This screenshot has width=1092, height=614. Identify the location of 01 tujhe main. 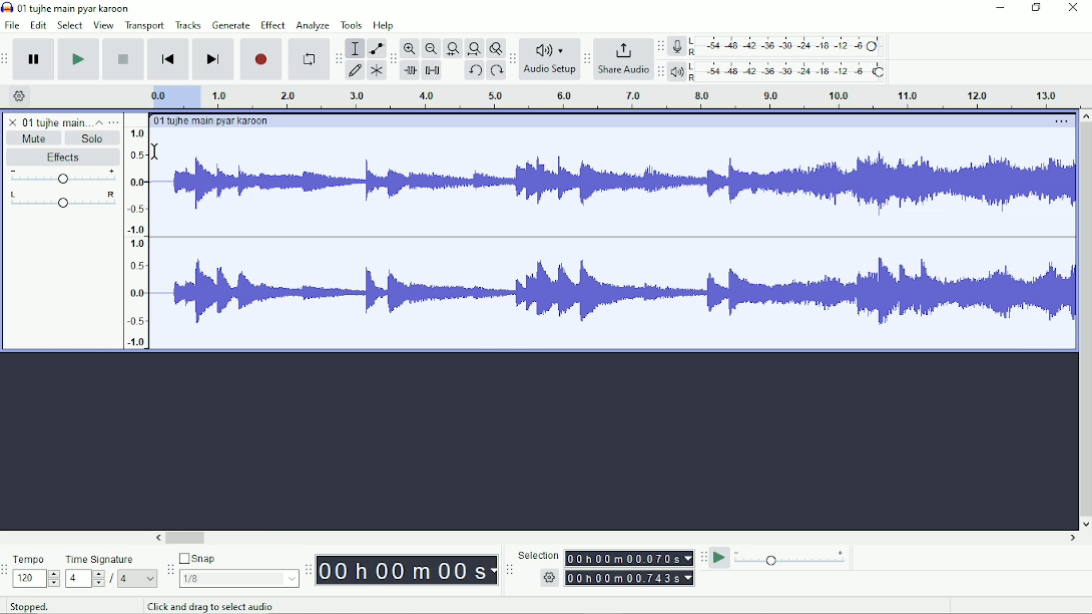
(56, 123).